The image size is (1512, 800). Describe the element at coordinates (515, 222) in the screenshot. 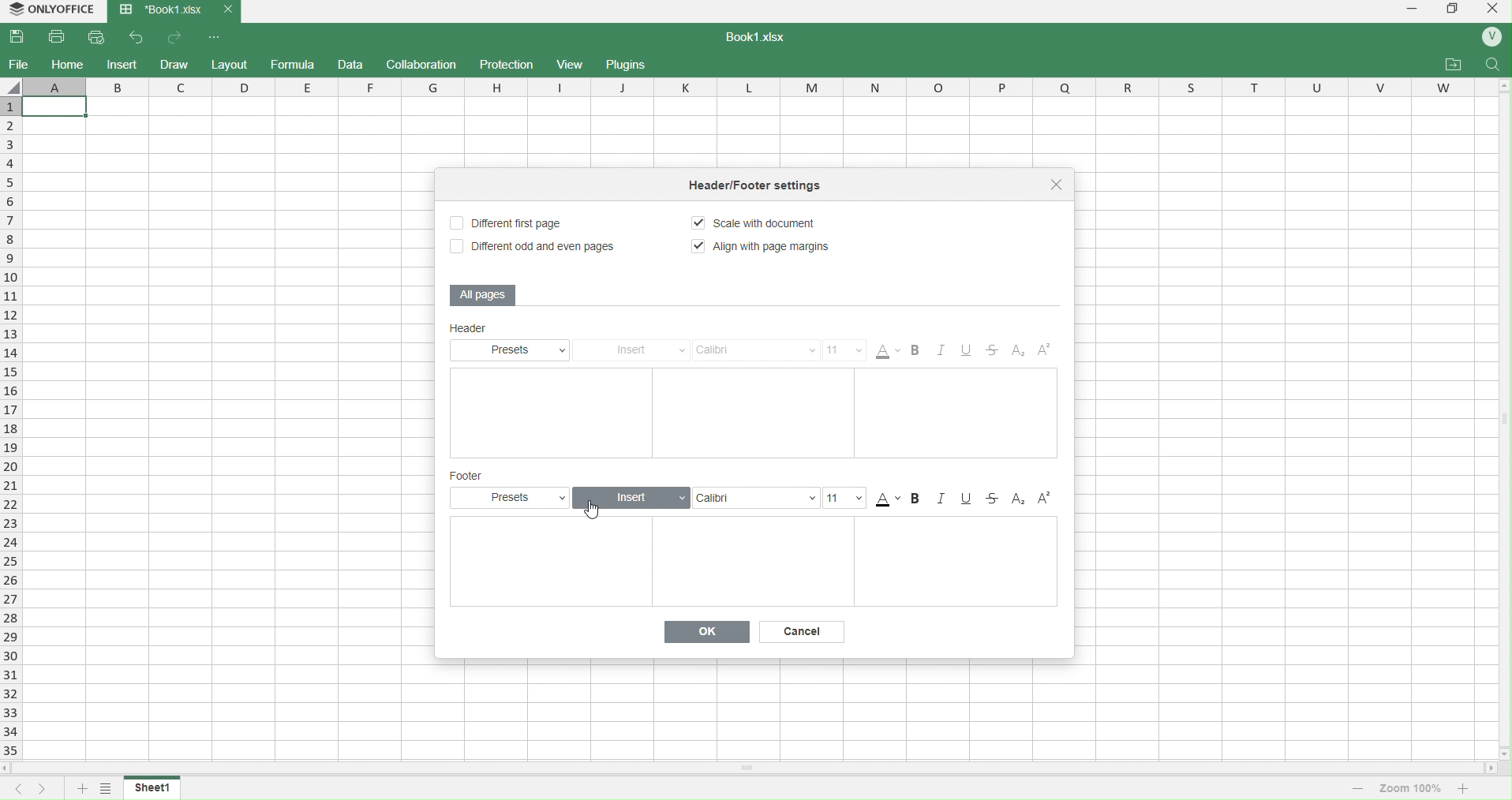

I see `Different First Page` at that location.